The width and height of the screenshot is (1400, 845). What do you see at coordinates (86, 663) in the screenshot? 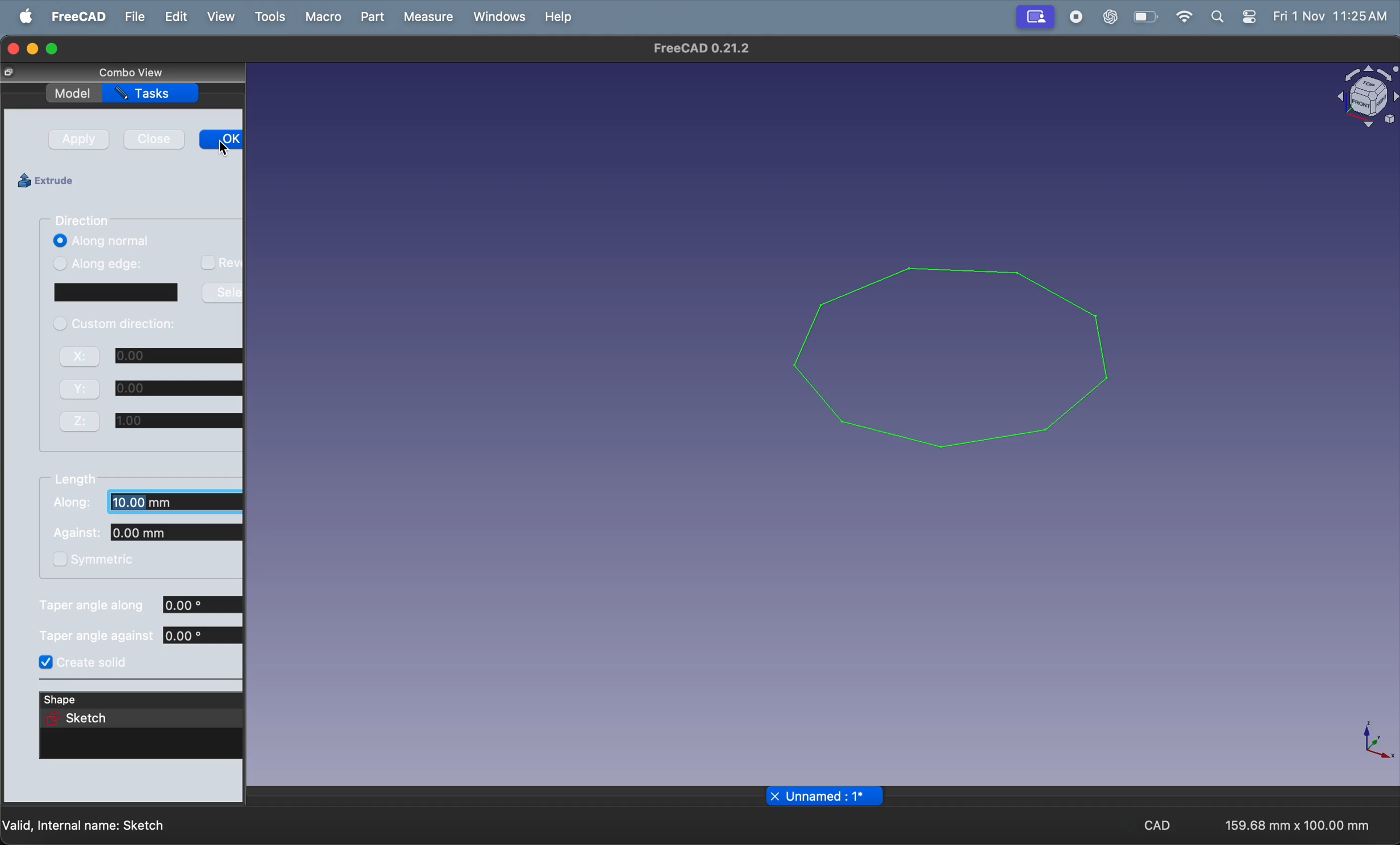
I see `create  solid` at bounding box center [86, 663].